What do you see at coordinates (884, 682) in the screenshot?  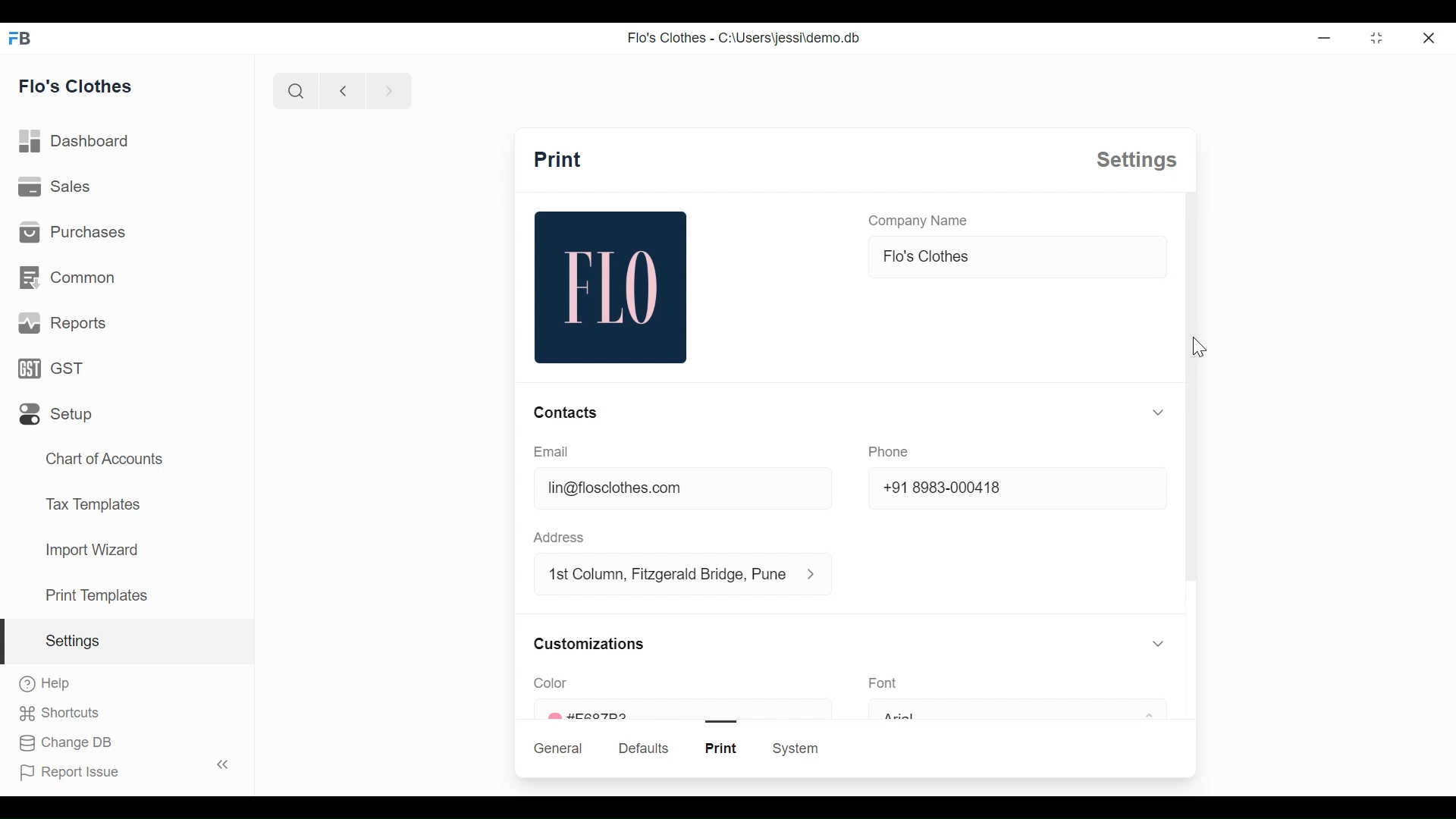 I see `font` at bounding box center [884, 682].